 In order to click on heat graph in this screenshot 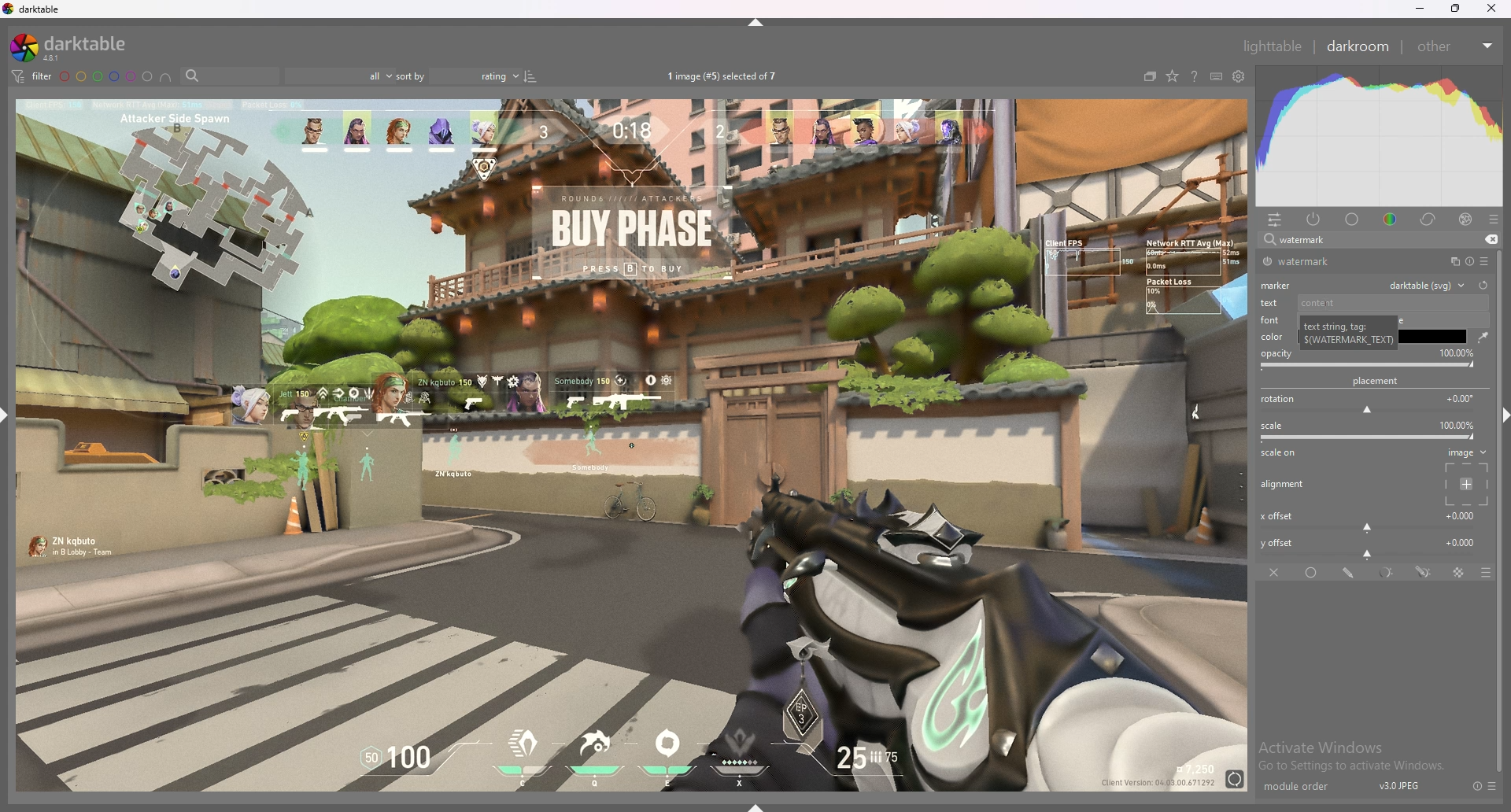, I will do `click(1380, 136)`.